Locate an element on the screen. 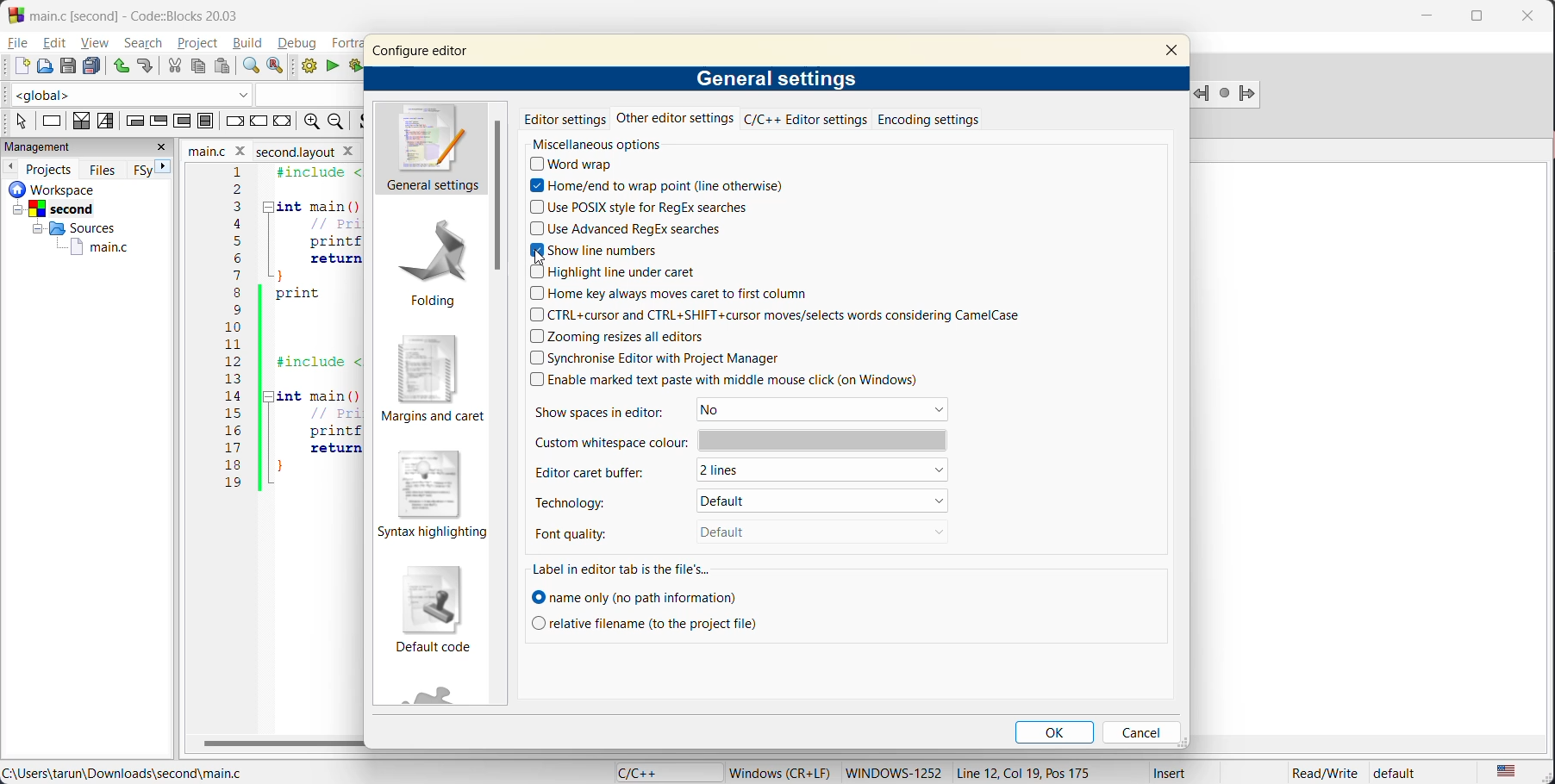 This screenshot has width=1555, height=784. instruction is located at coordinates (51, 120).